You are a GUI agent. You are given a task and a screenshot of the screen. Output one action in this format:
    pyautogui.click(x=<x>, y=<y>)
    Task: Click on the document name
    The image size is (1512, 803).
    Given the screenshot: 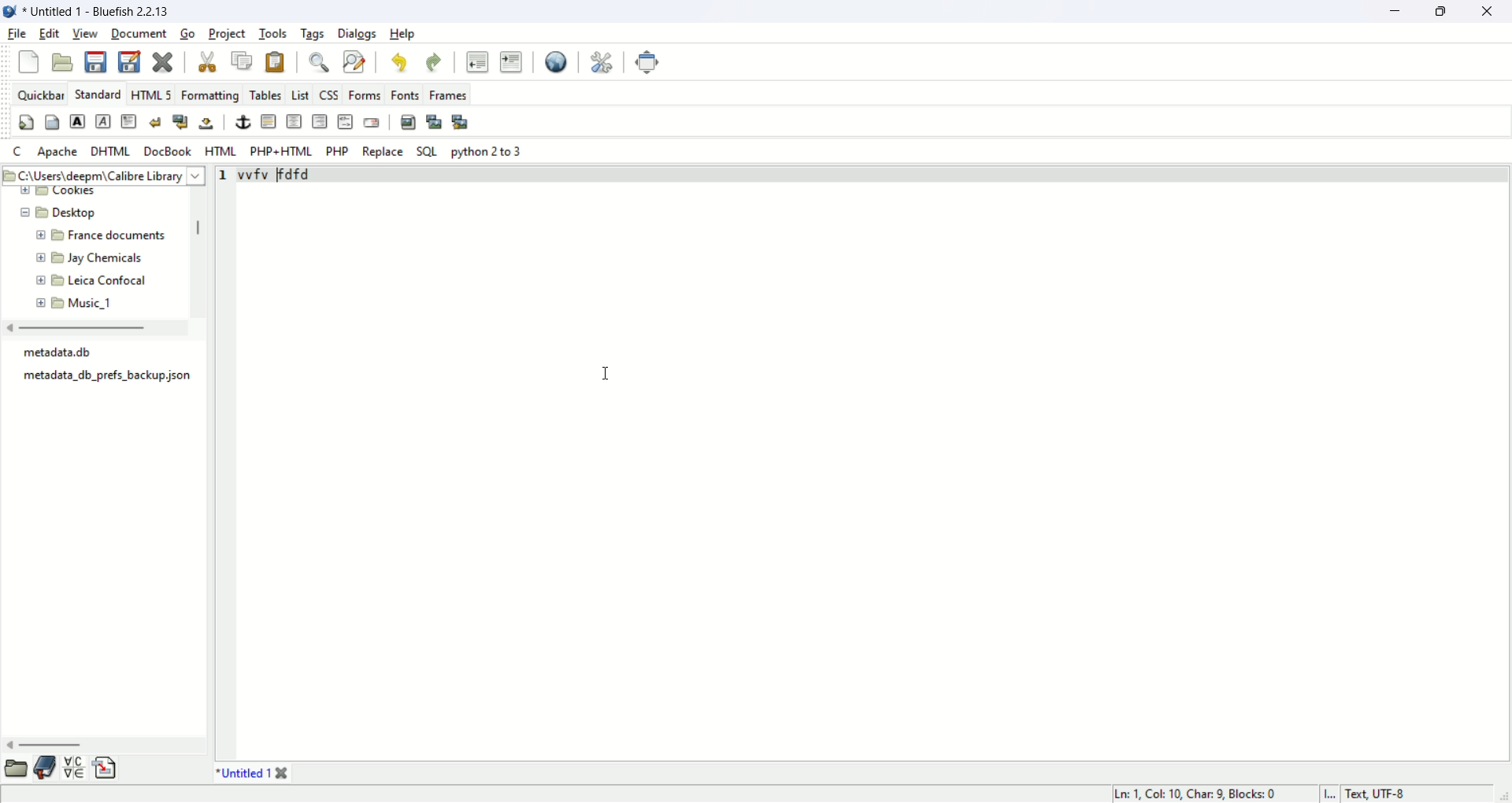 What is the action you would take?
    pyautogui.click(x=244, y=775)
    